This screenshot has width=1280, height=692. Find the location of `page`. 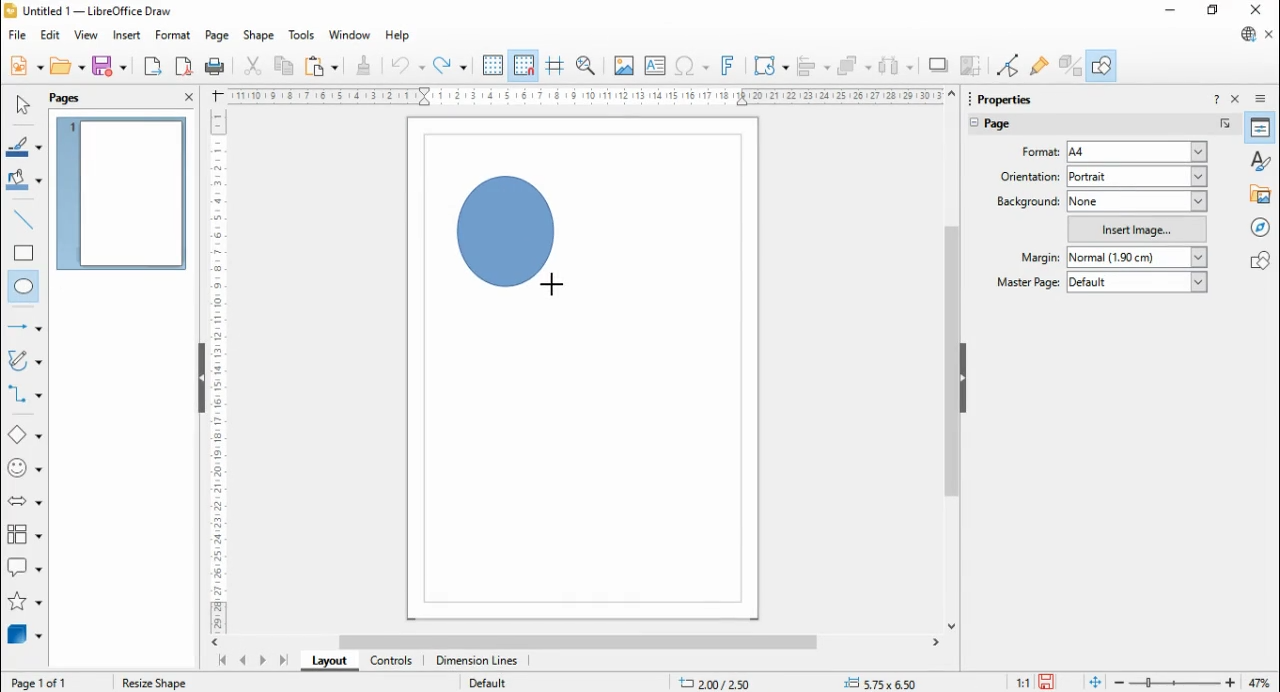

page is located at coordinates (1011, 126).